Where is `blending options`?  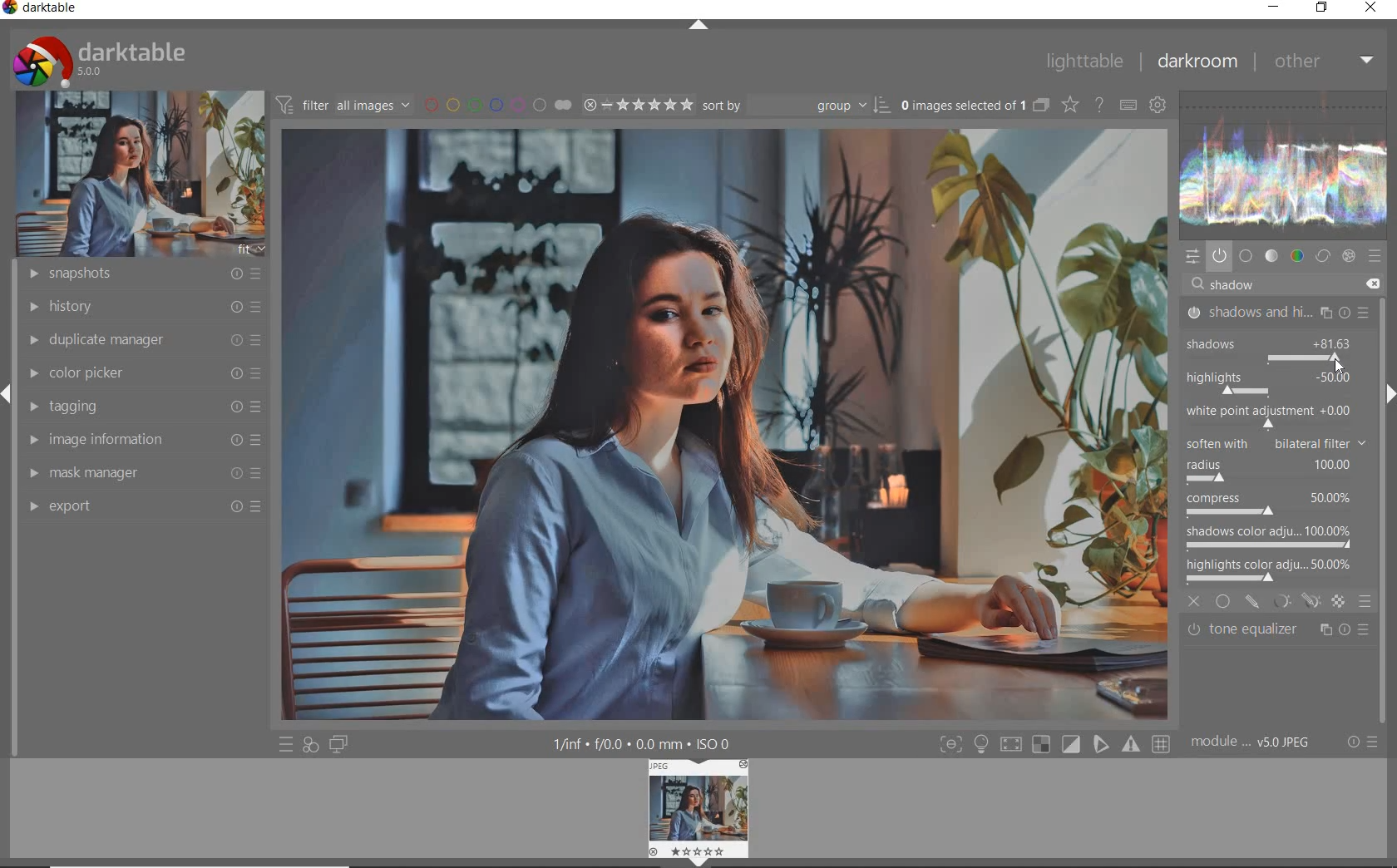 blending options is located at coordinates (1365, 601).